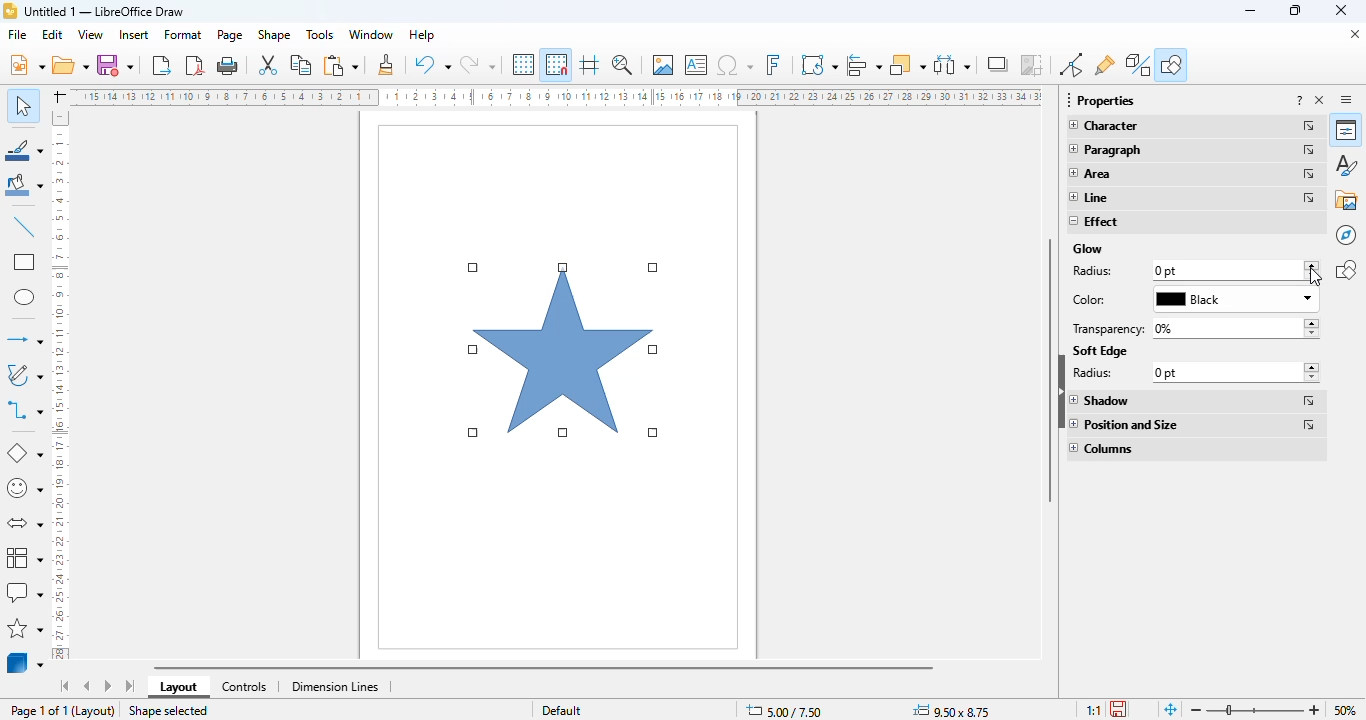 This screenshot has width=1366, height=720. What do you see at coordinates (1232, 327) in the screenshot?
I see ` 0%` at bounding box center [1232, 327].